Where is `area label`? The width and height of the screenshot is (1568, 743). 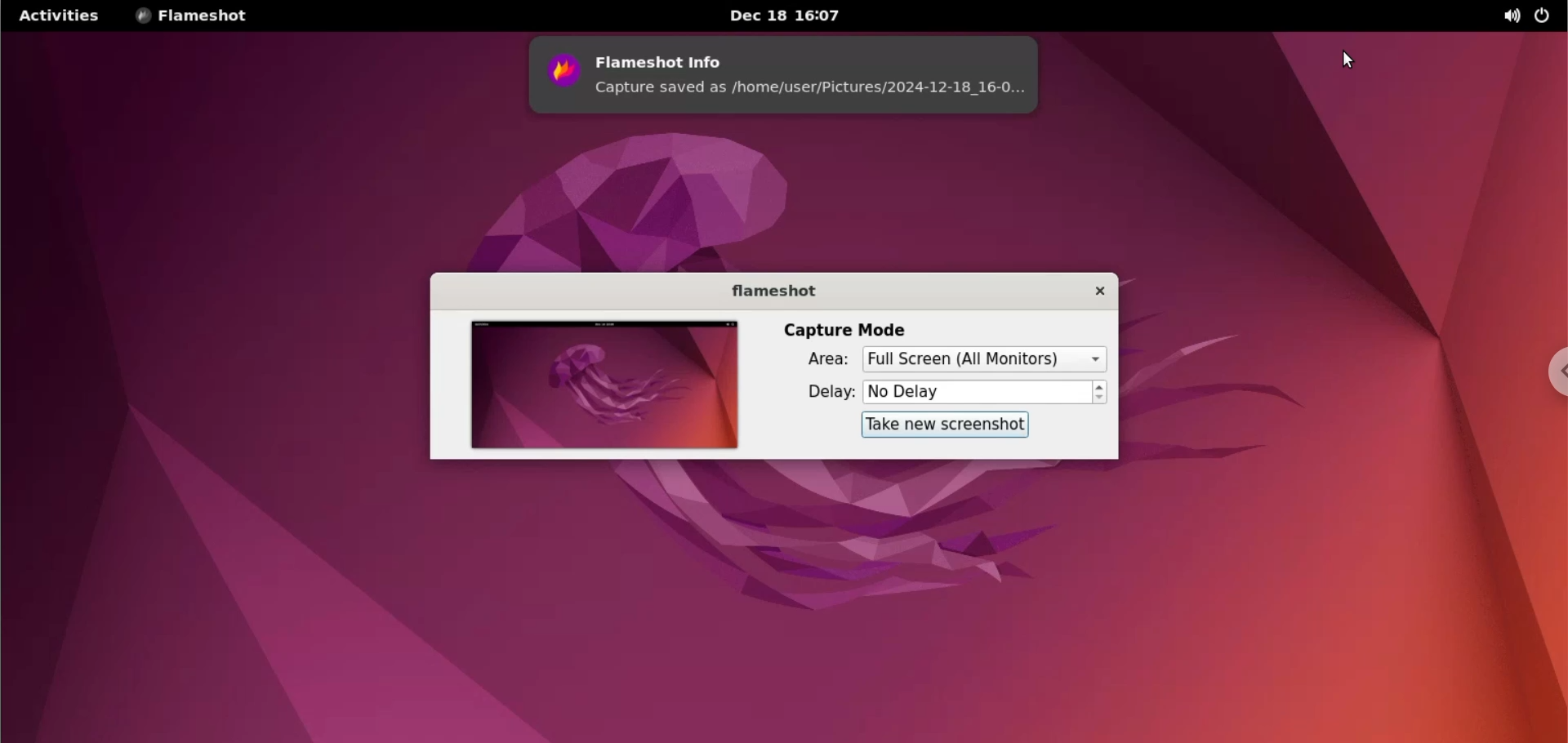 area label is located at coordinates (820, 360).